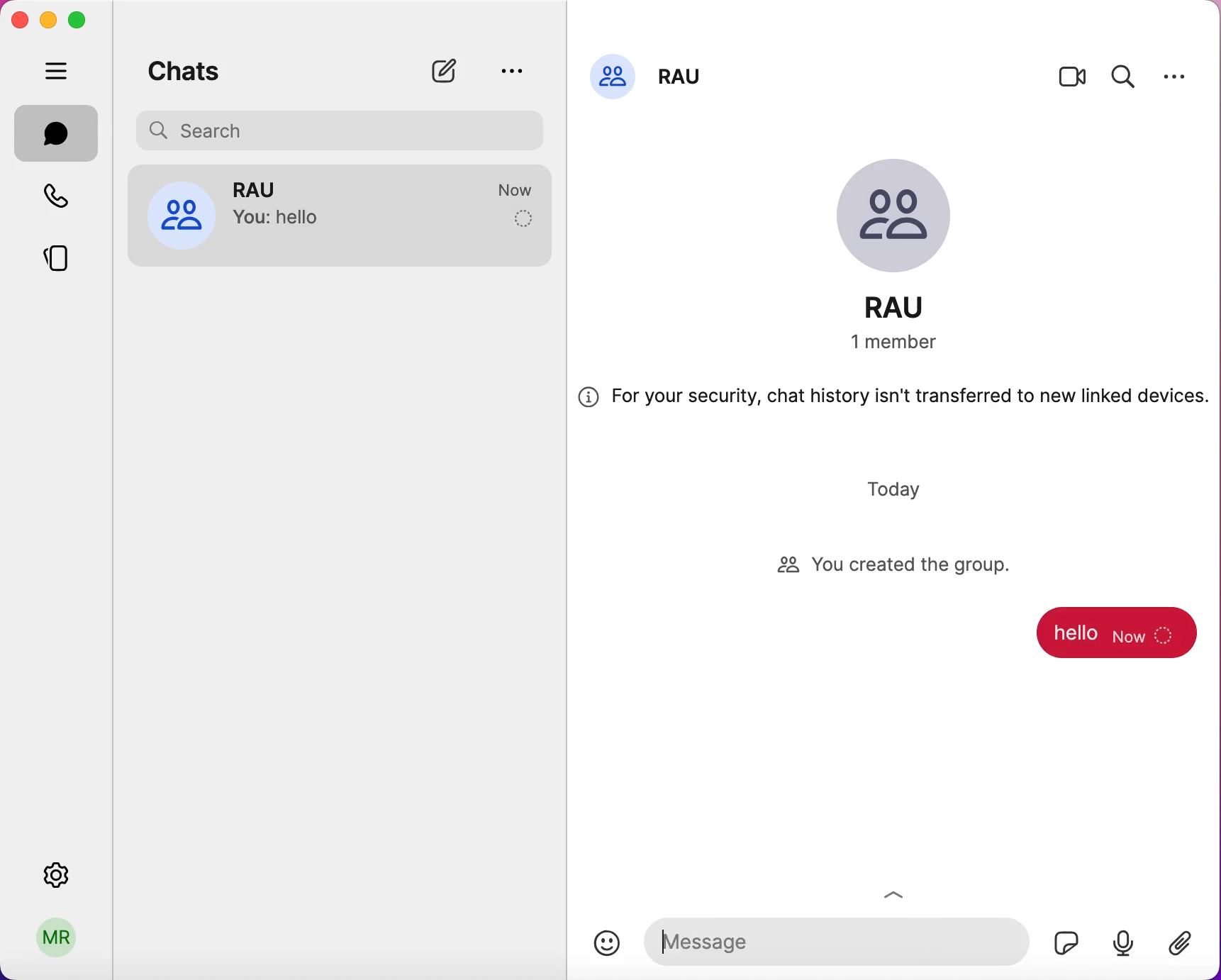  What do you see at coordinates (1118, 639) in the screenshot?
I see `applied color in chat` at bounding box center [1118, 639].